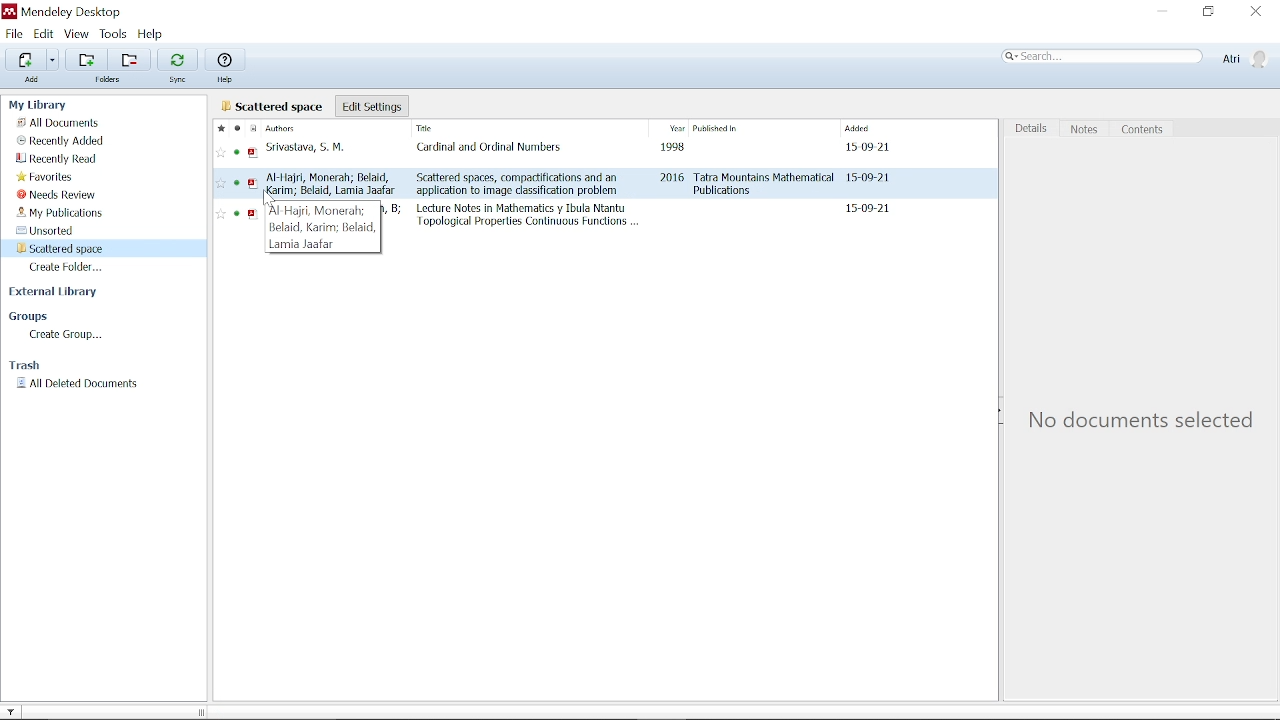 This screenshot has width=1280, height=720. Describe the element at coordinates (70, 267) in the screenshot. I see `Create folder` at that location.